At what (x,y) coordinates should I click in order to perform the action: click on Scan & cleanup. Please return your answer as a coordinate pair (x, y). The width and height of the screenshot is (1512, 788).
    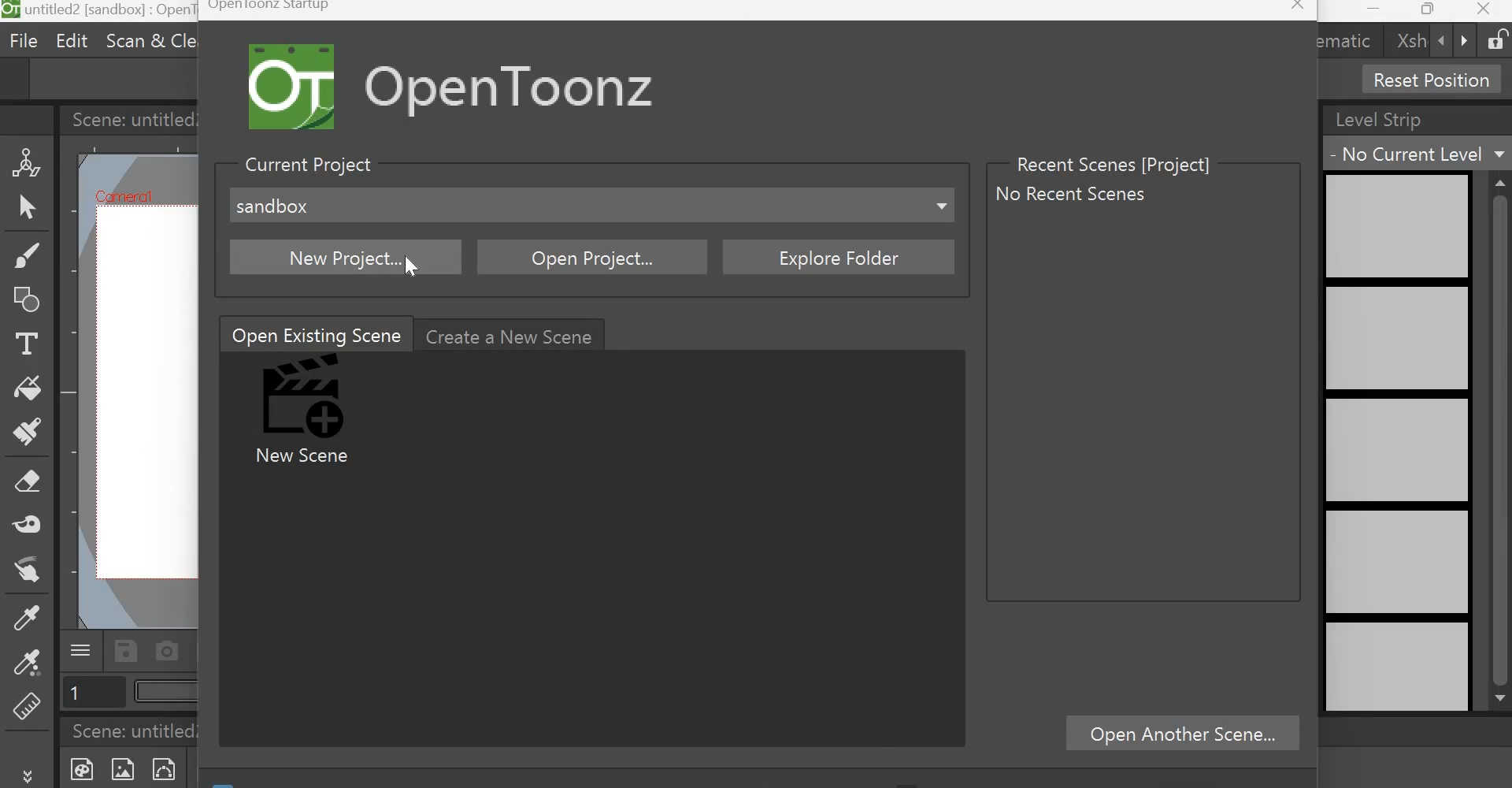
    Looking at the image, I should click on (149, 39).